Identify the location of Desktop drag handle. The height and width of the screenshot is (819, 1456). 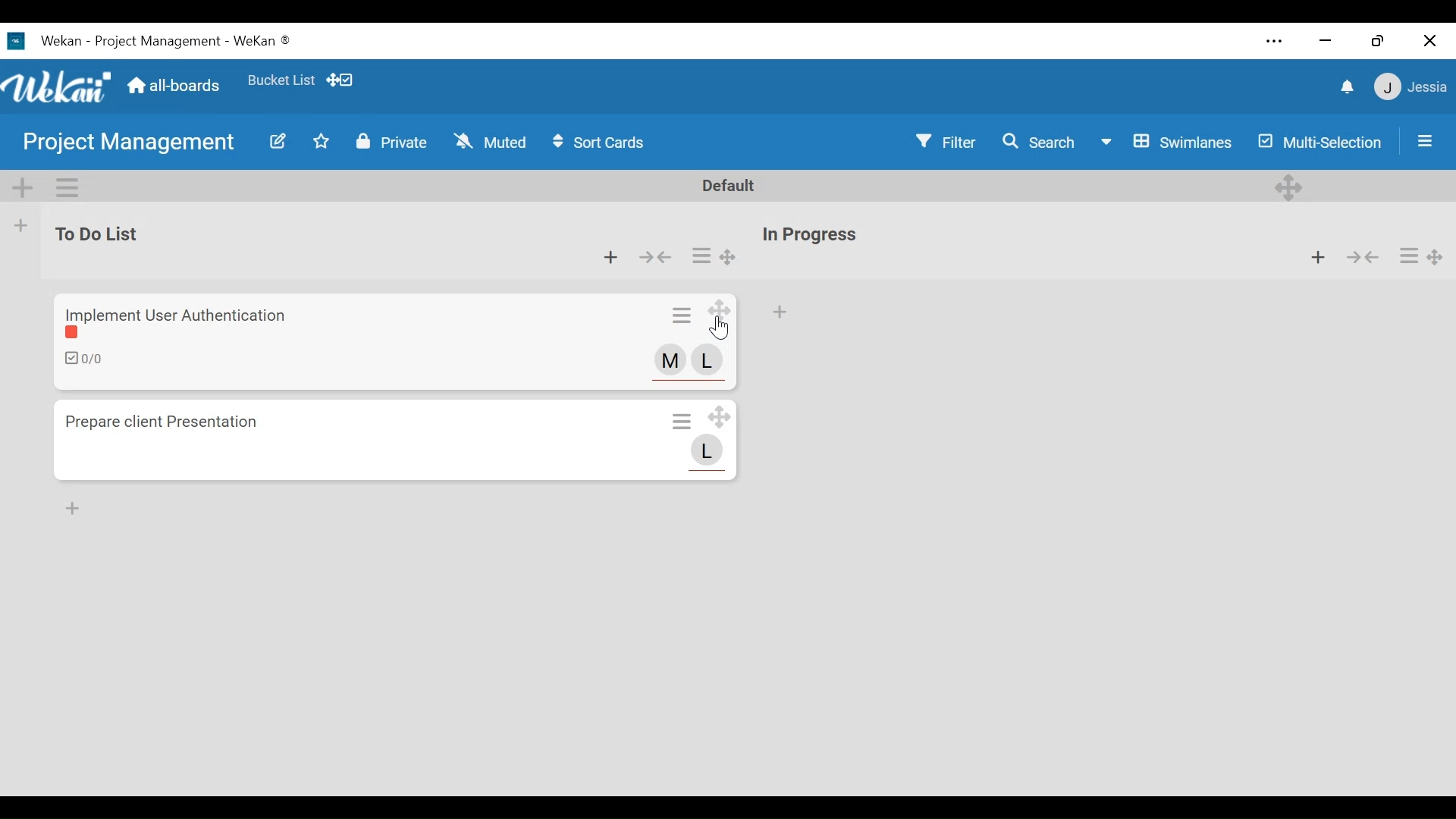
(718, 311).